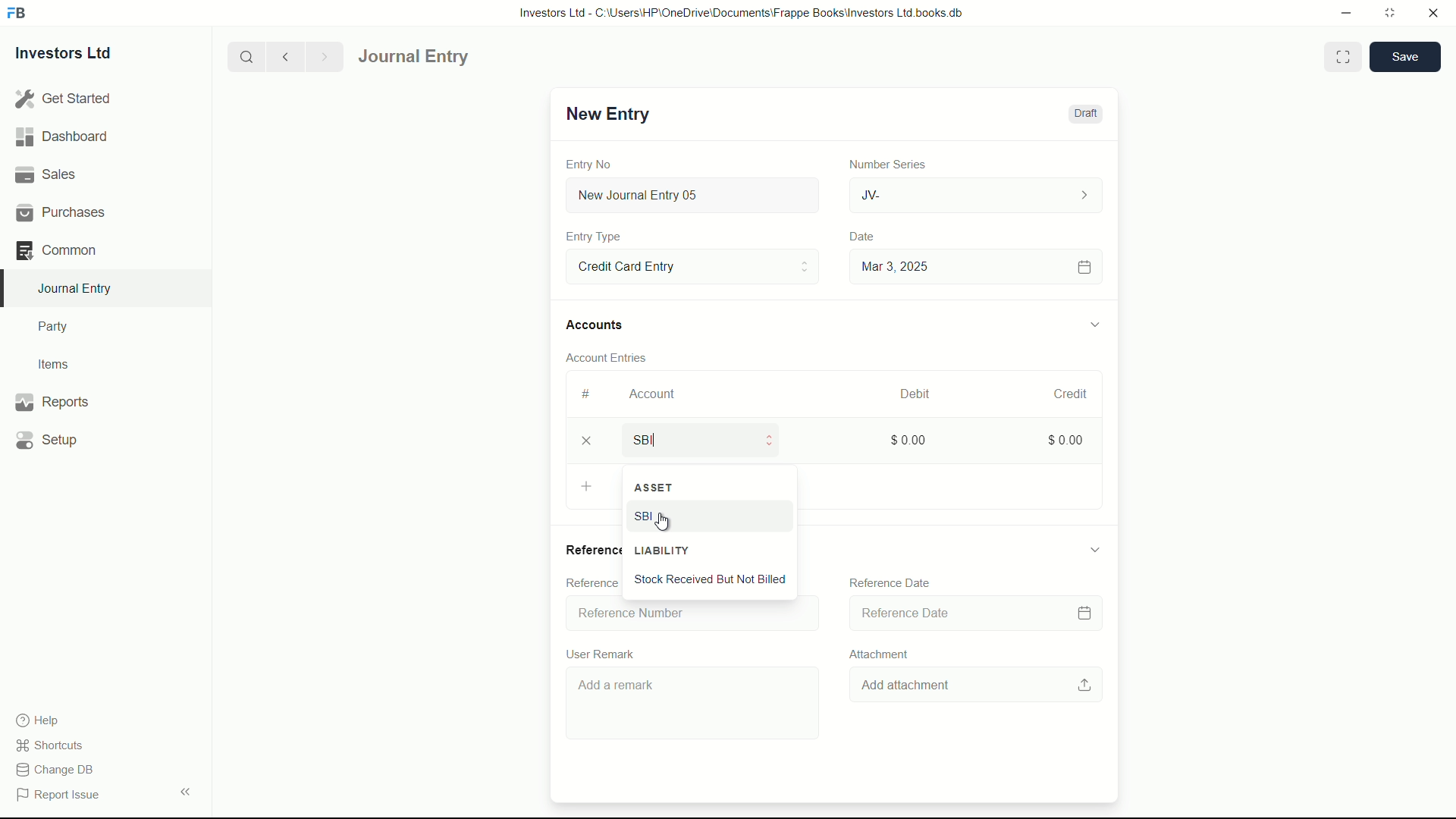 The image size is (1456, 819). Describe the element at coordinates (716, 550) in the screenshot. I see `Liability` at that location.